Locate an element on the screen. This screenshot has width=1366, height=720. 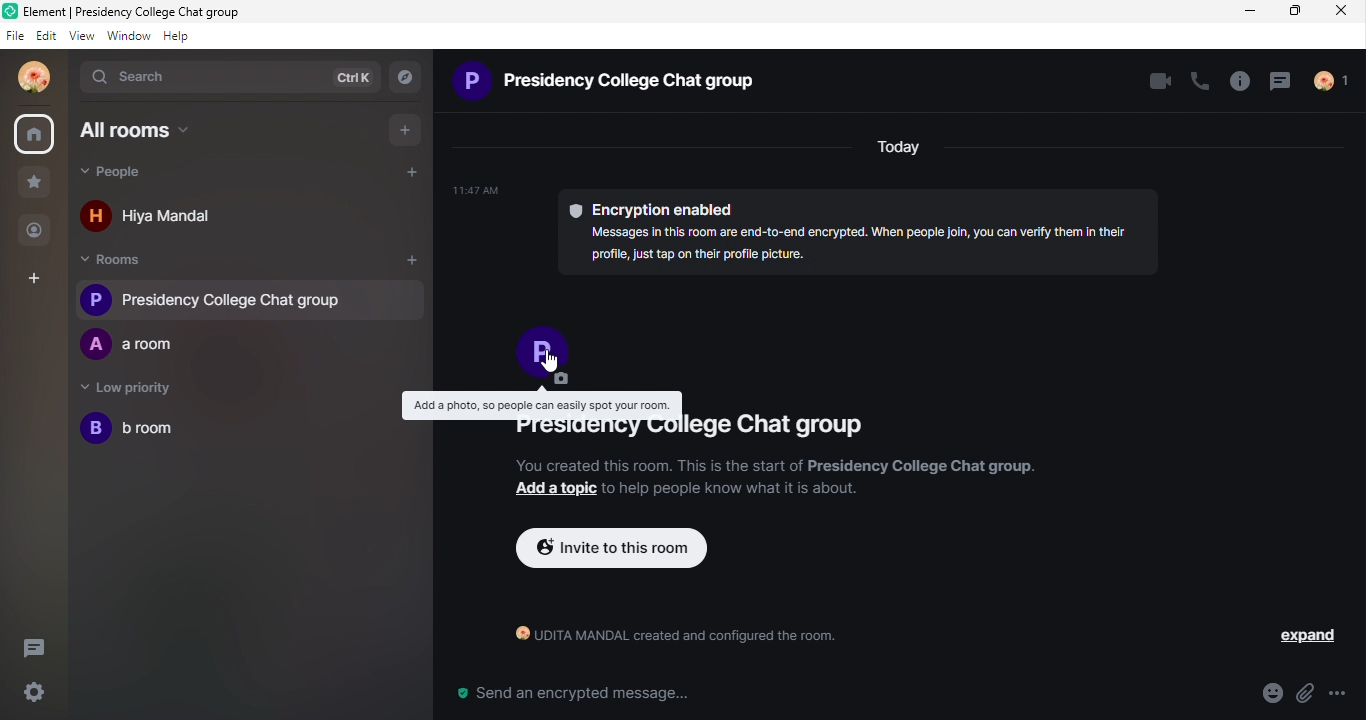
option is located at coordinates (1345, 692).